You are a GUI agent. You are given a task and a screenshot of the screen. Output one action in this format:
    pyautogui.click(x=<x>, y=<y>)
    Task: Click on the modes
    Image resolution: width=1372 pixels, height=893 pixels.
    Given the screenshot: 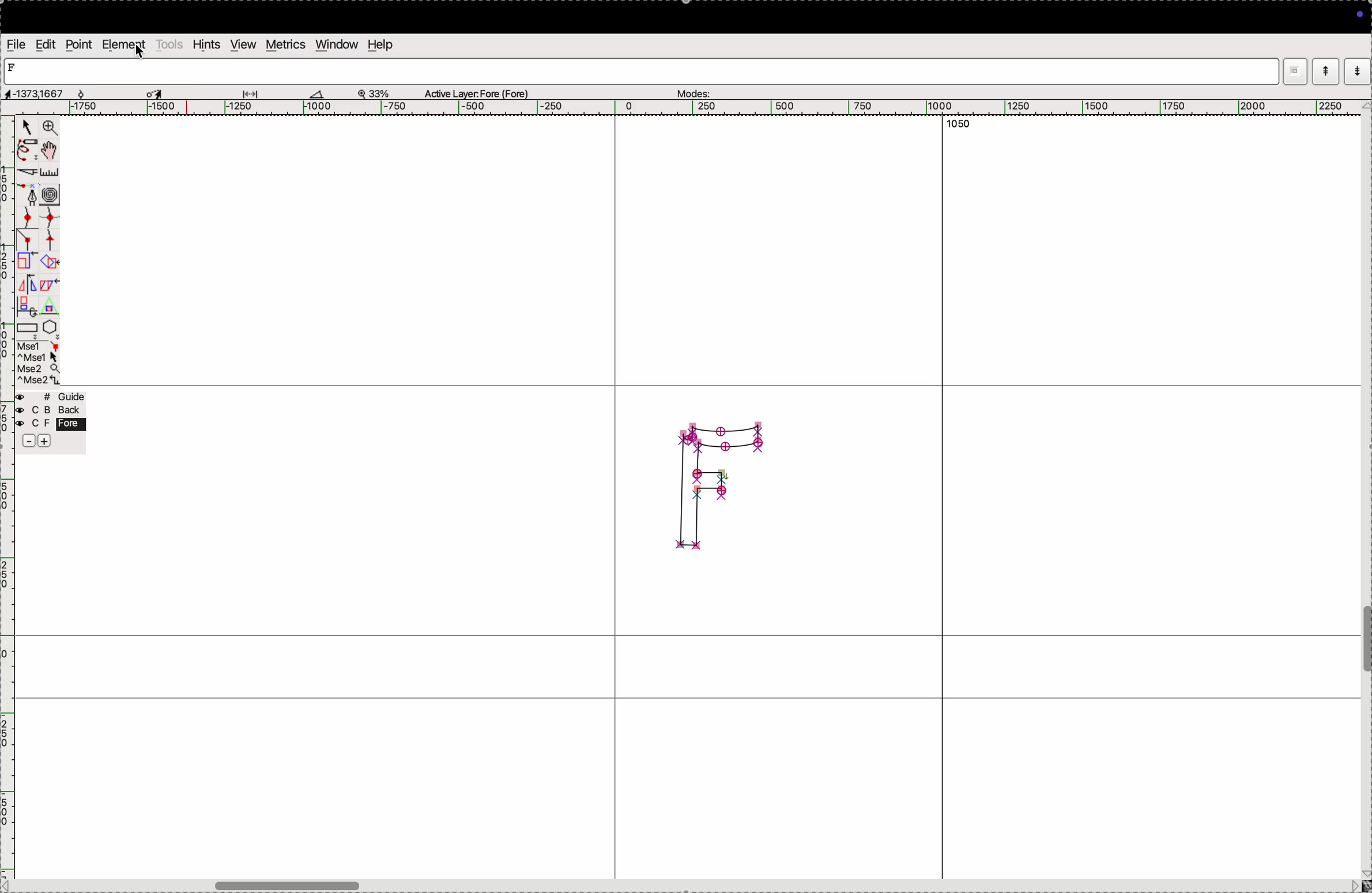 What is the action you would take?
    pyautogui.click(x=692, y=91)
    